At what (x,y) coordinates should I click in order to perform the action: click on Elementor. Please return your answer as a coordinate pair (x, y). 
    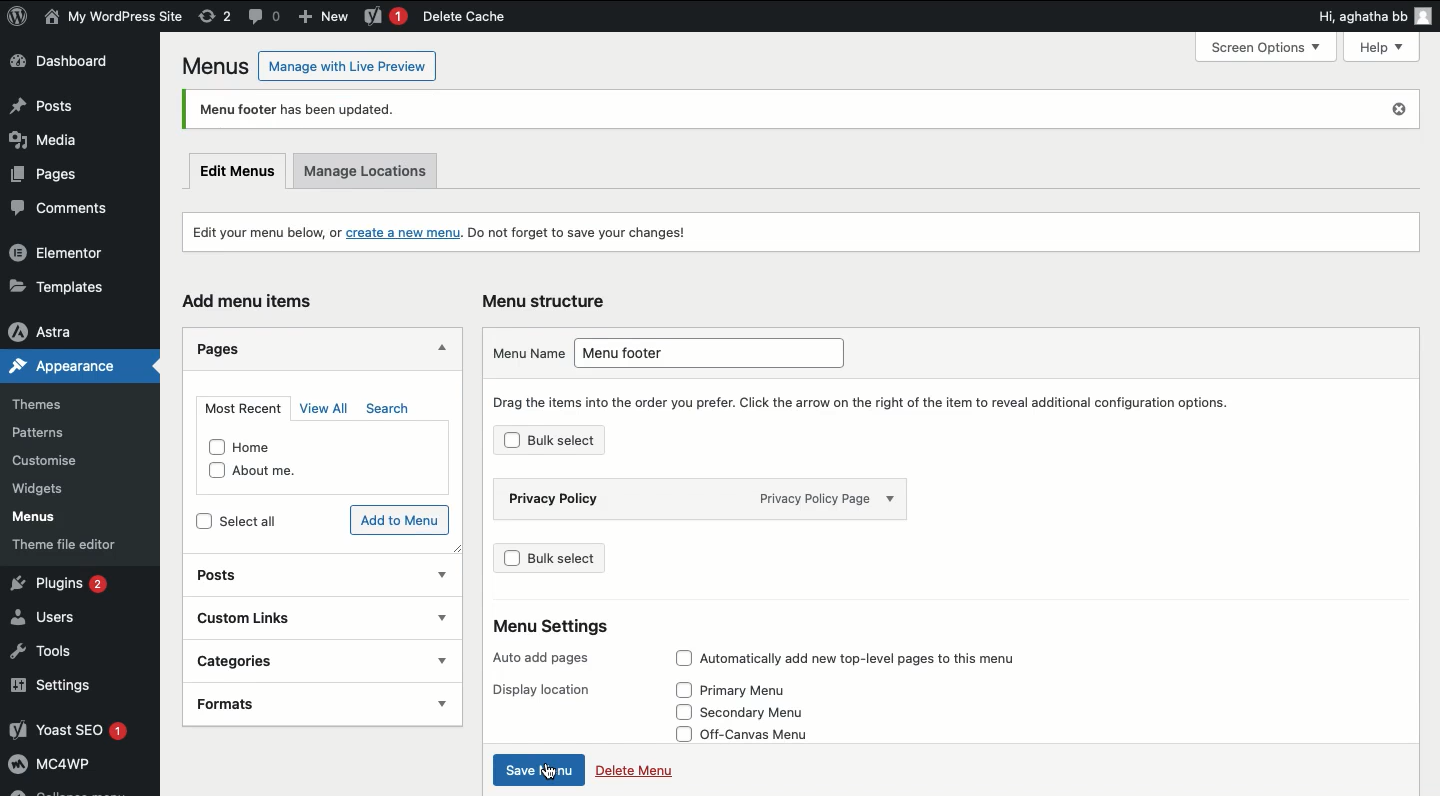
    Looking at the image, I should click on (68, 254).